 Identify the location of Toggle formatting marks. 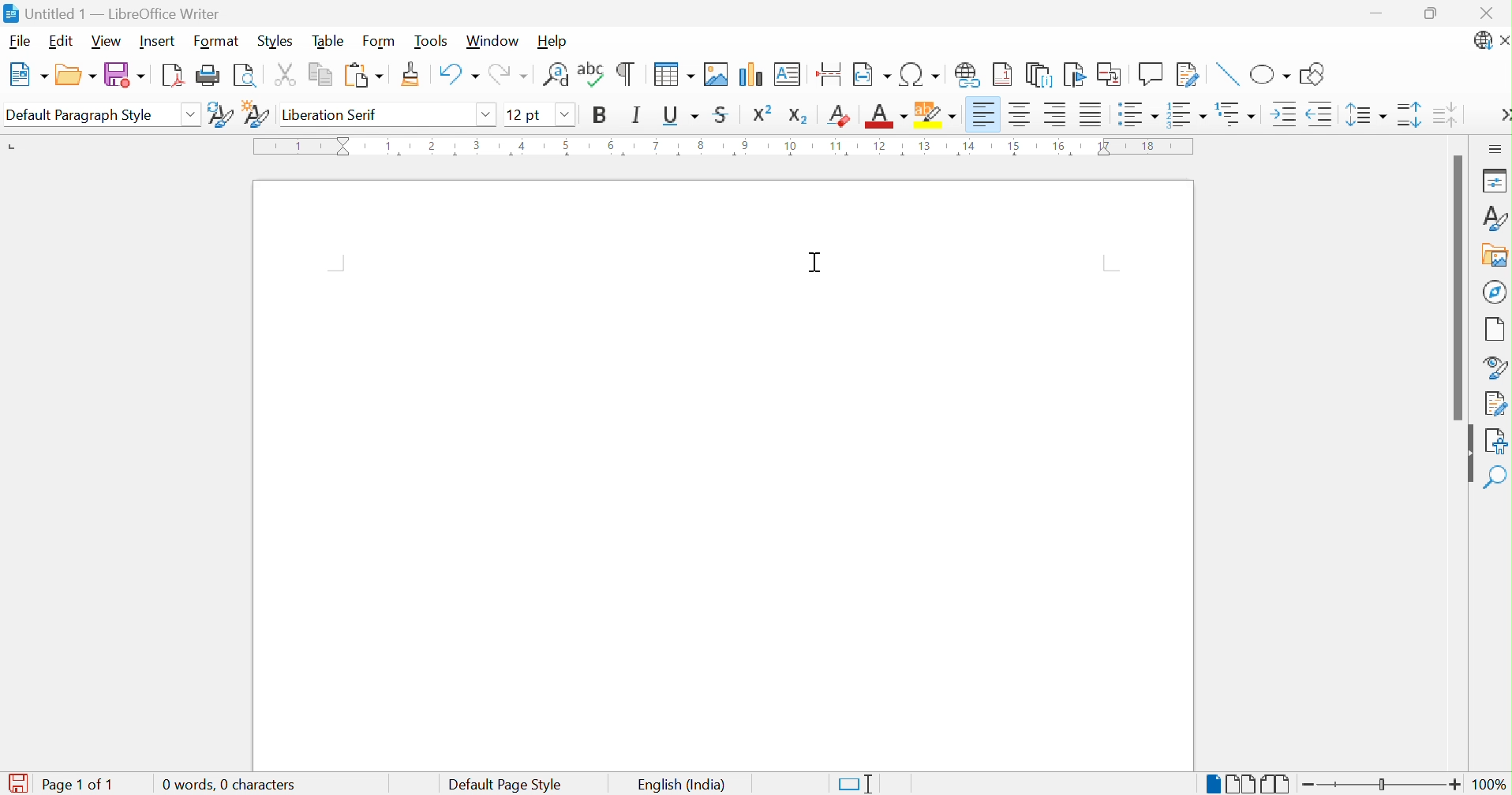
(626, 73).